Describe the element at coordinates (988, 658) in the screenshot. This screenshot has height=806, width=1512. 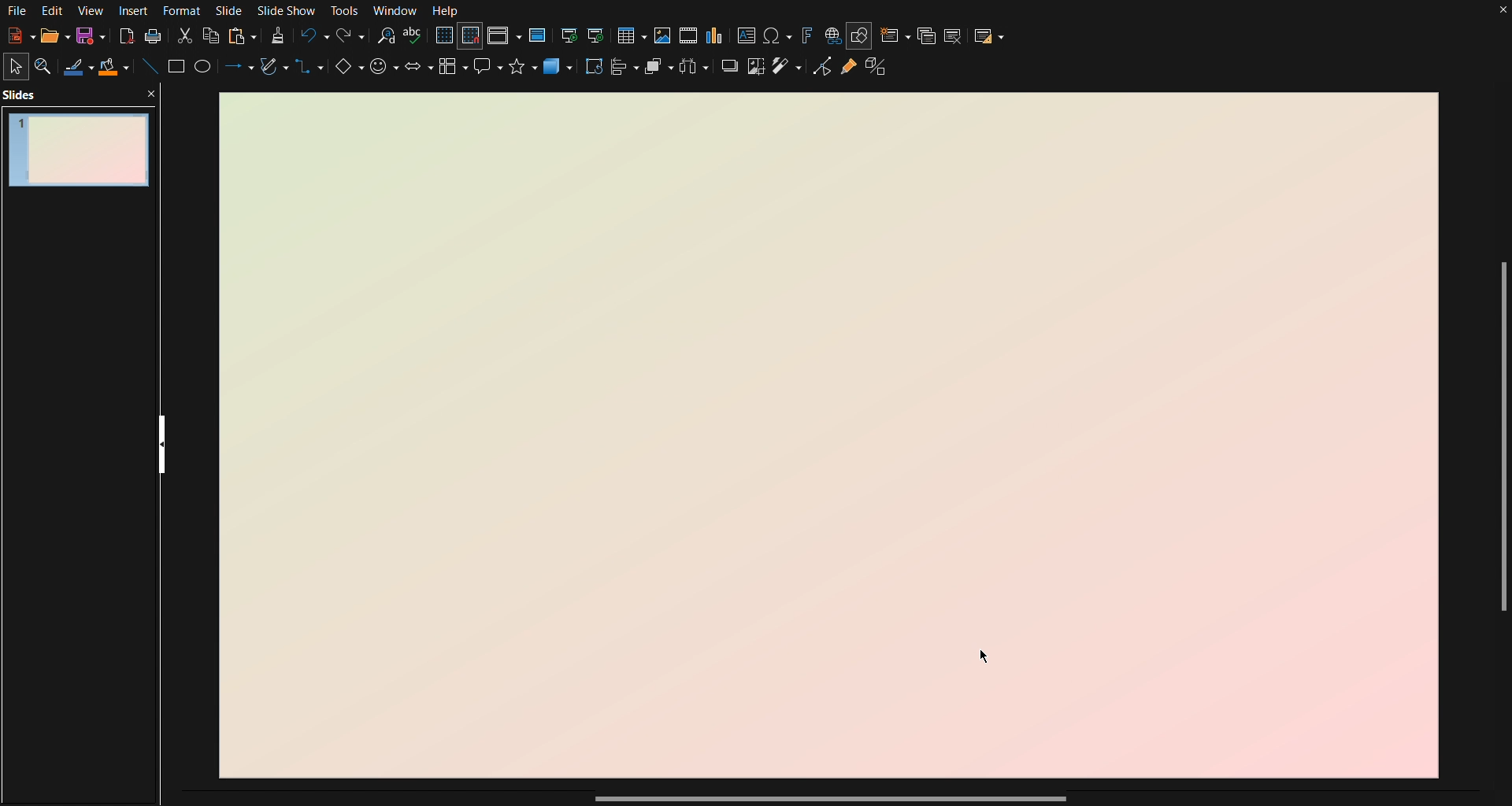
I see `Cursor` at that location.